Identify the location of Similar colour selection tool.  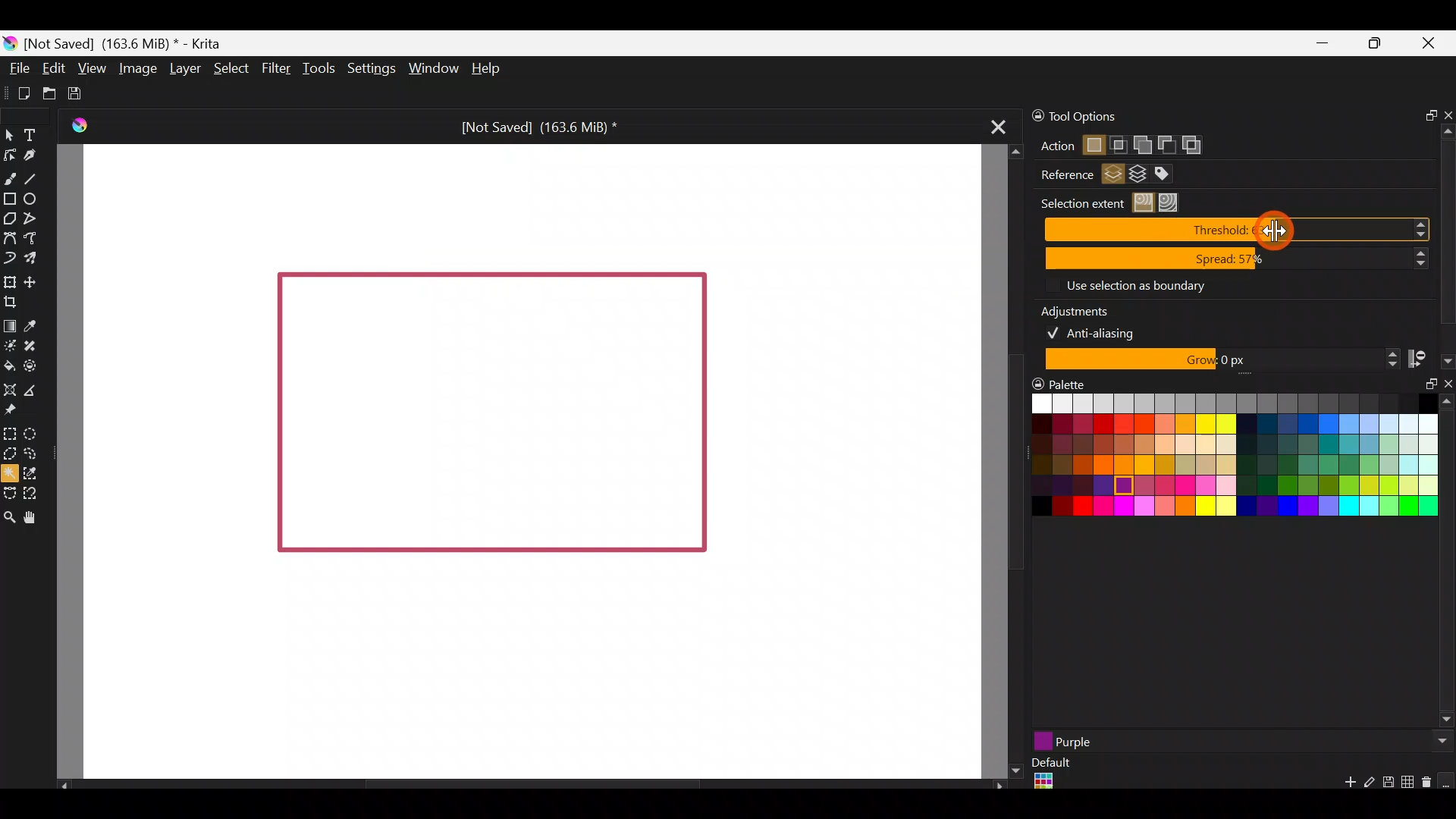
(42, 472).